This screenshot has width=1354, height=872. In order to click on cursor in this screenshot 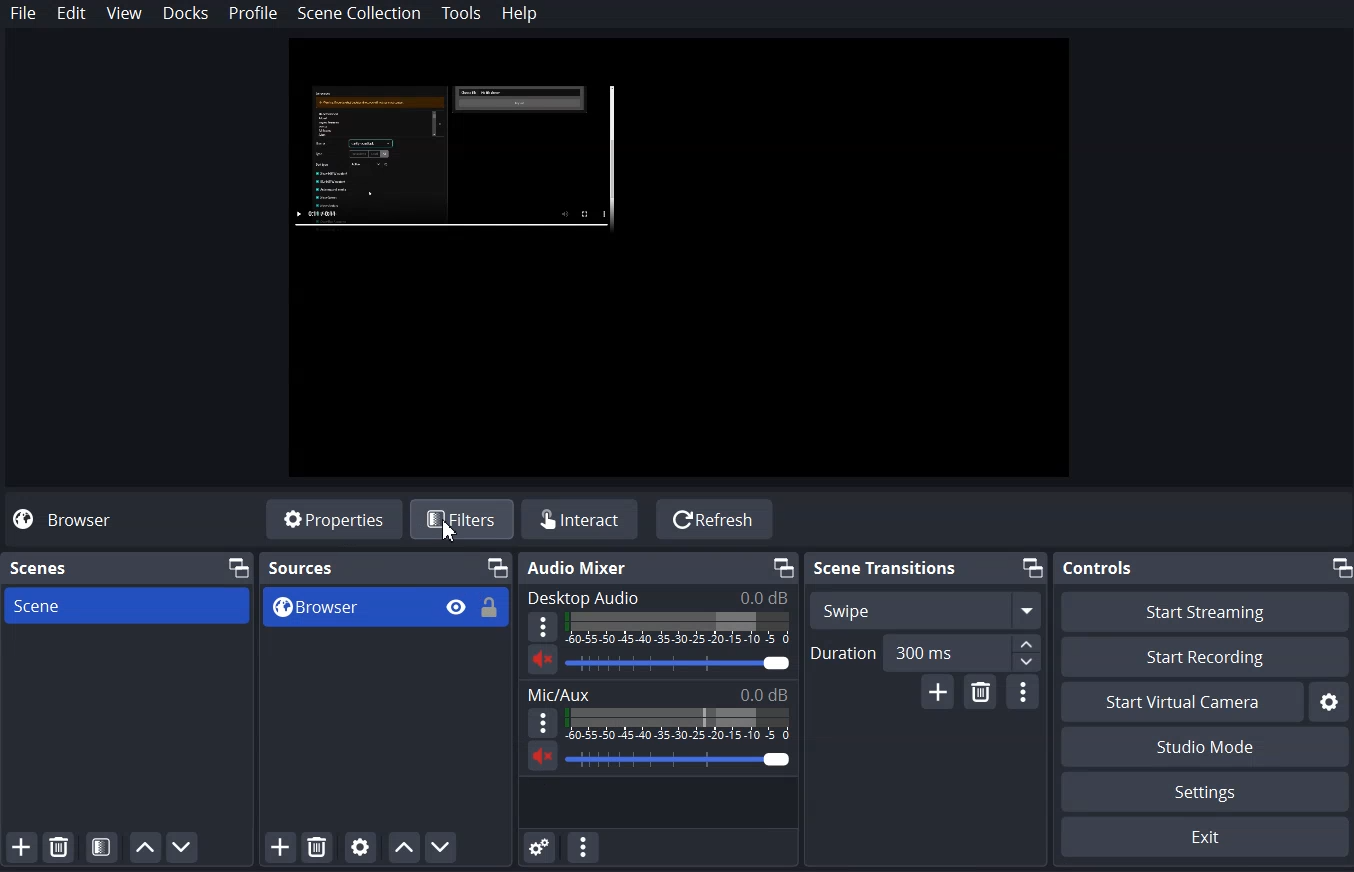, I will do `click(453, 534)`.